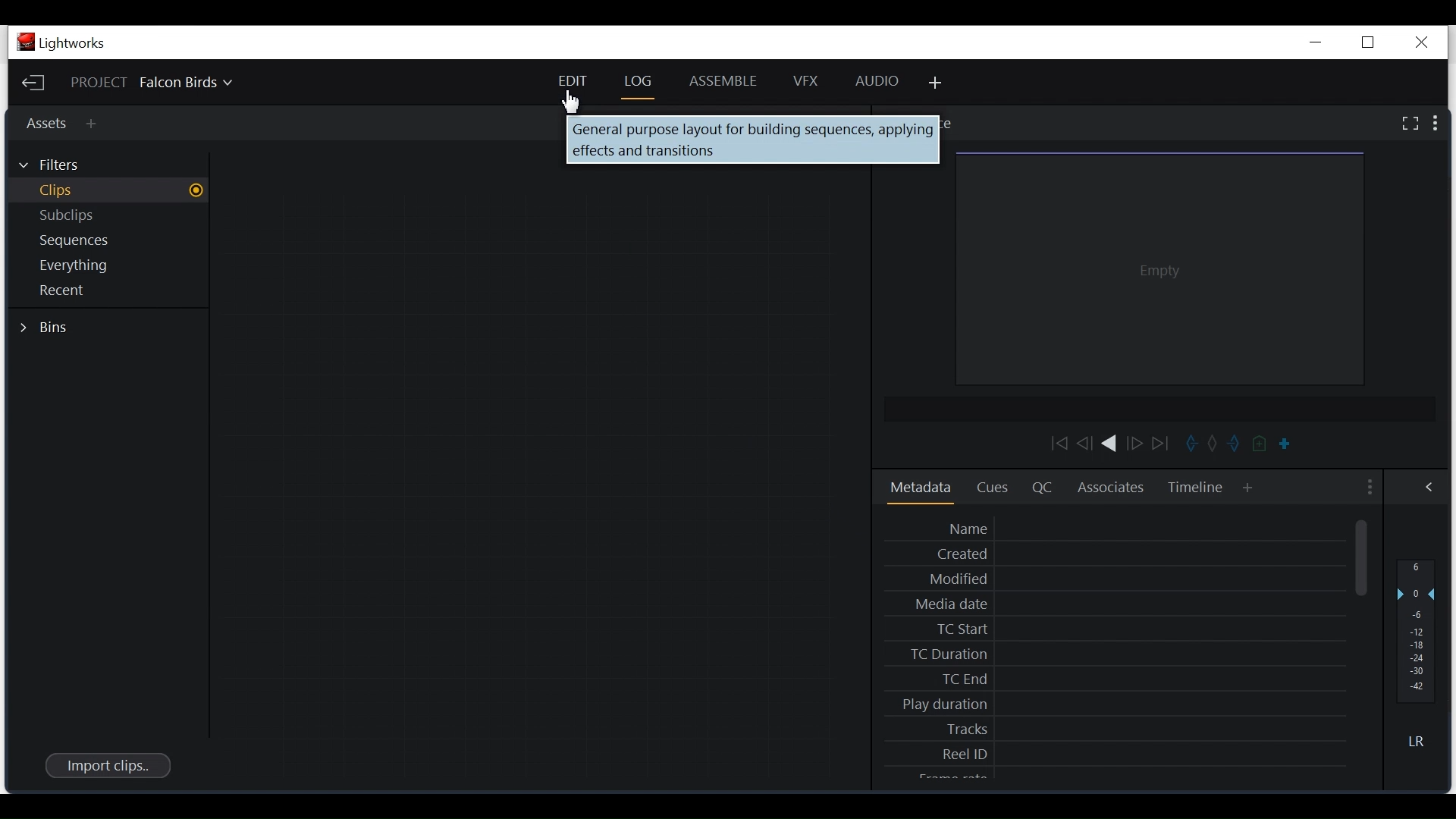 This screenshot has height=819, width=1456. Describe the element at coordinates (1122, 603) in the screenshot. I see `Media data` at that location.